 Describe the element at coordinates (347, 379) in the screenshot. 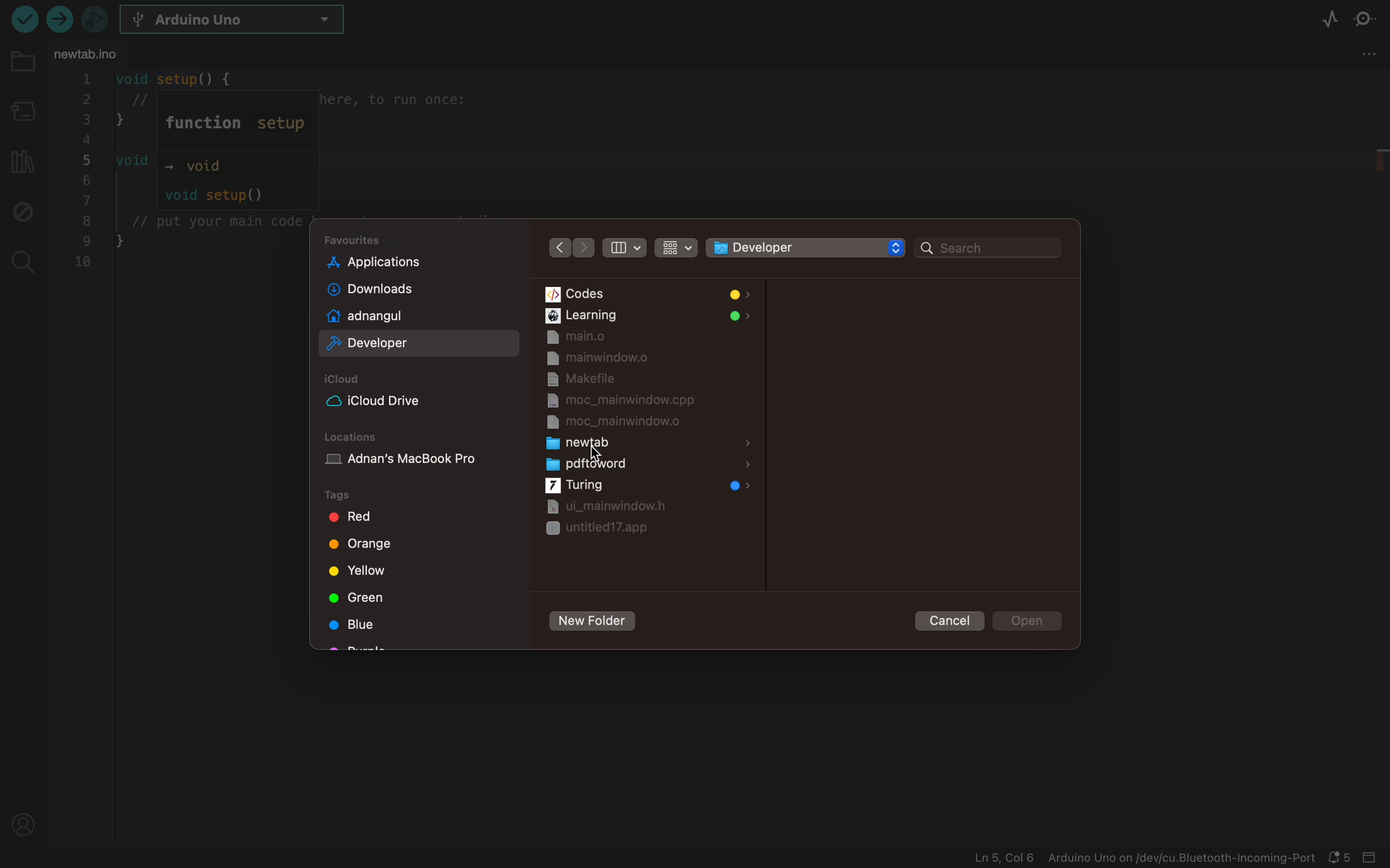

I see `icloud` at that location.